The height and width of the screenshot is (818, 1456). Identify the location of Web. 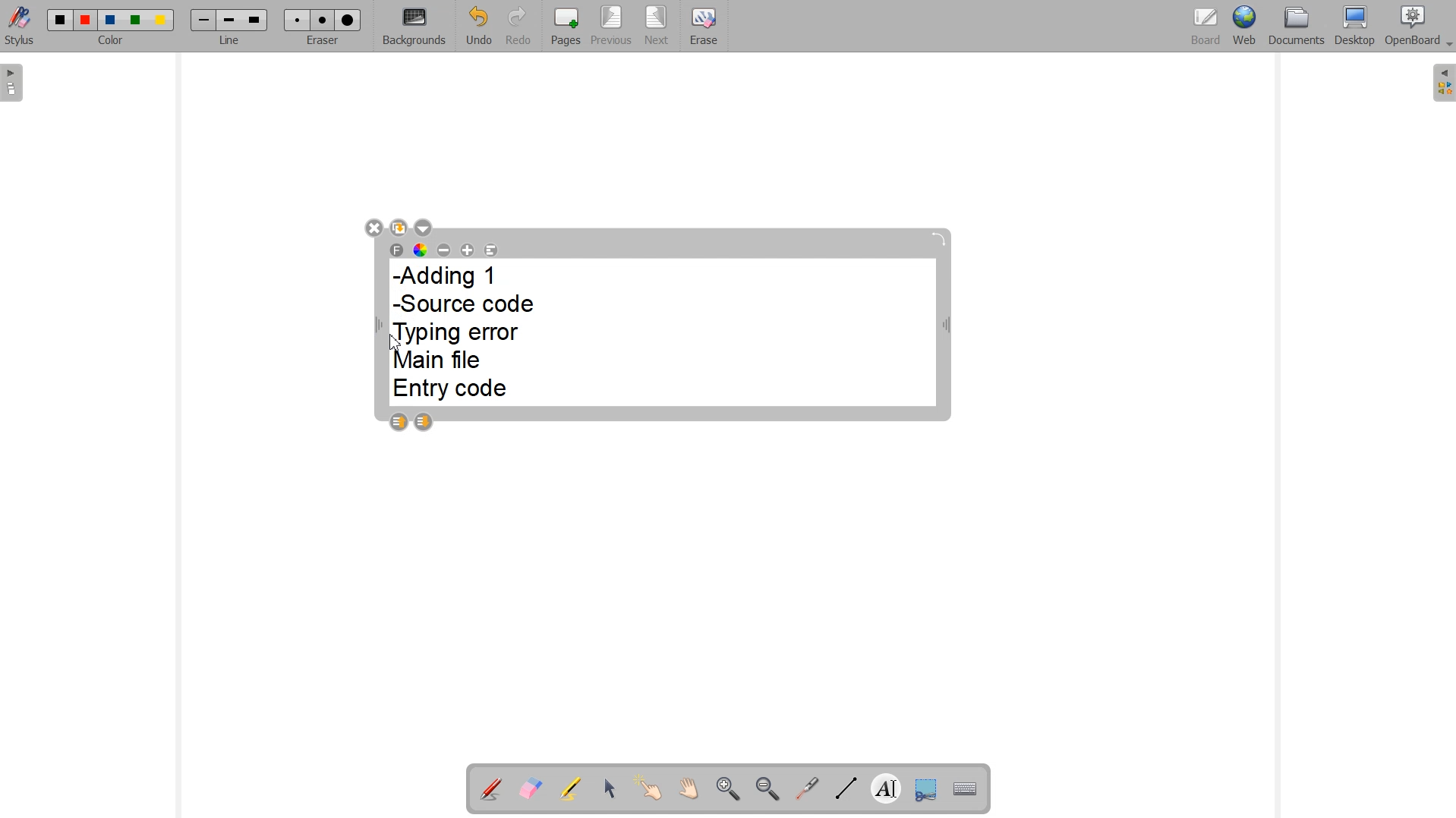
(1244, 27).